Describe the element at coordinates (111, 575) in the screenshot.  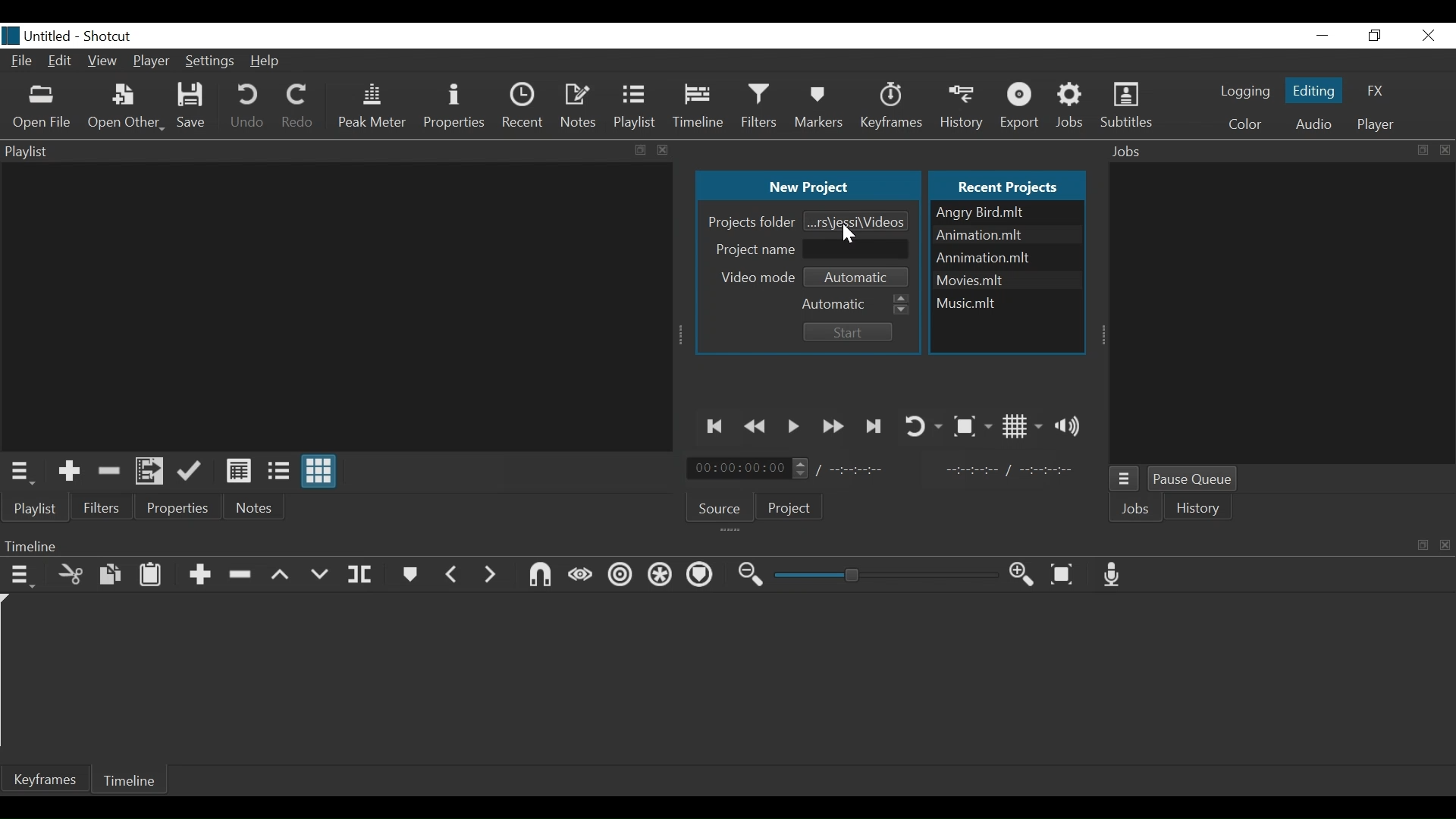
I see `Copy` at that location.